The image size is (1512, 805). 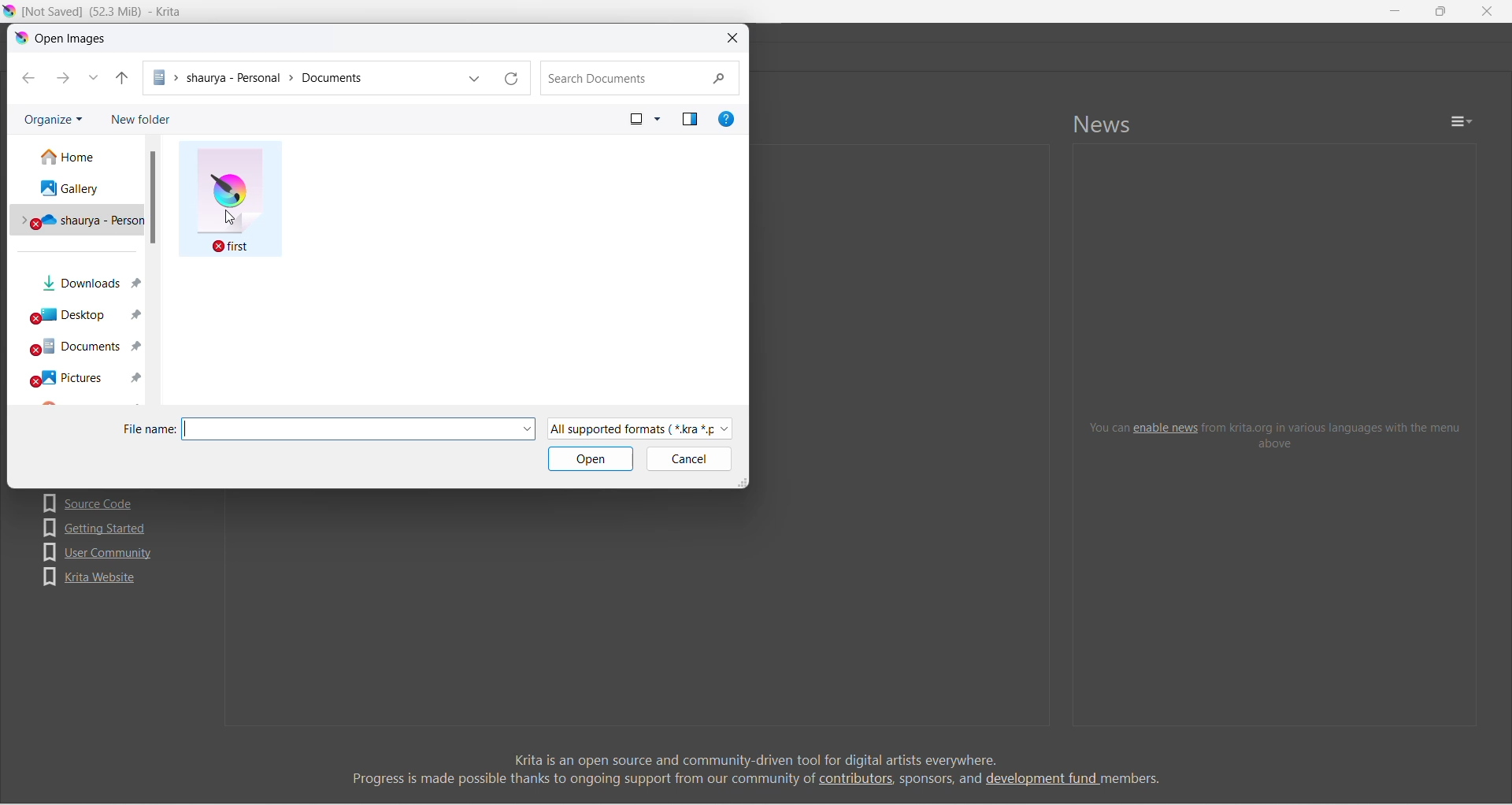 I want to click on change view, so click(x=636, y=119).